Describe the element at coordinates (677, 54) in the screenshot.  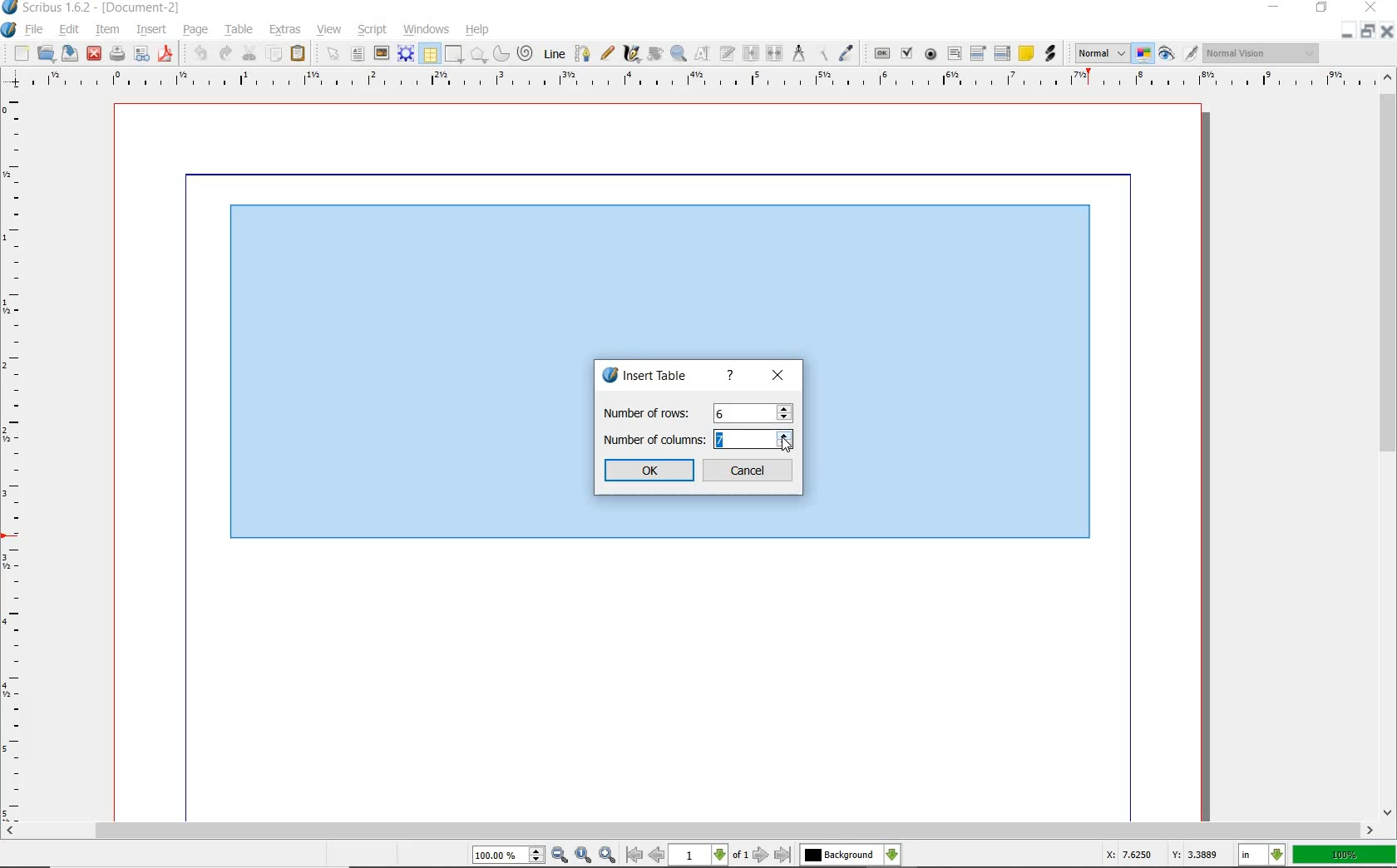
I see `zoom in or out` at that location.